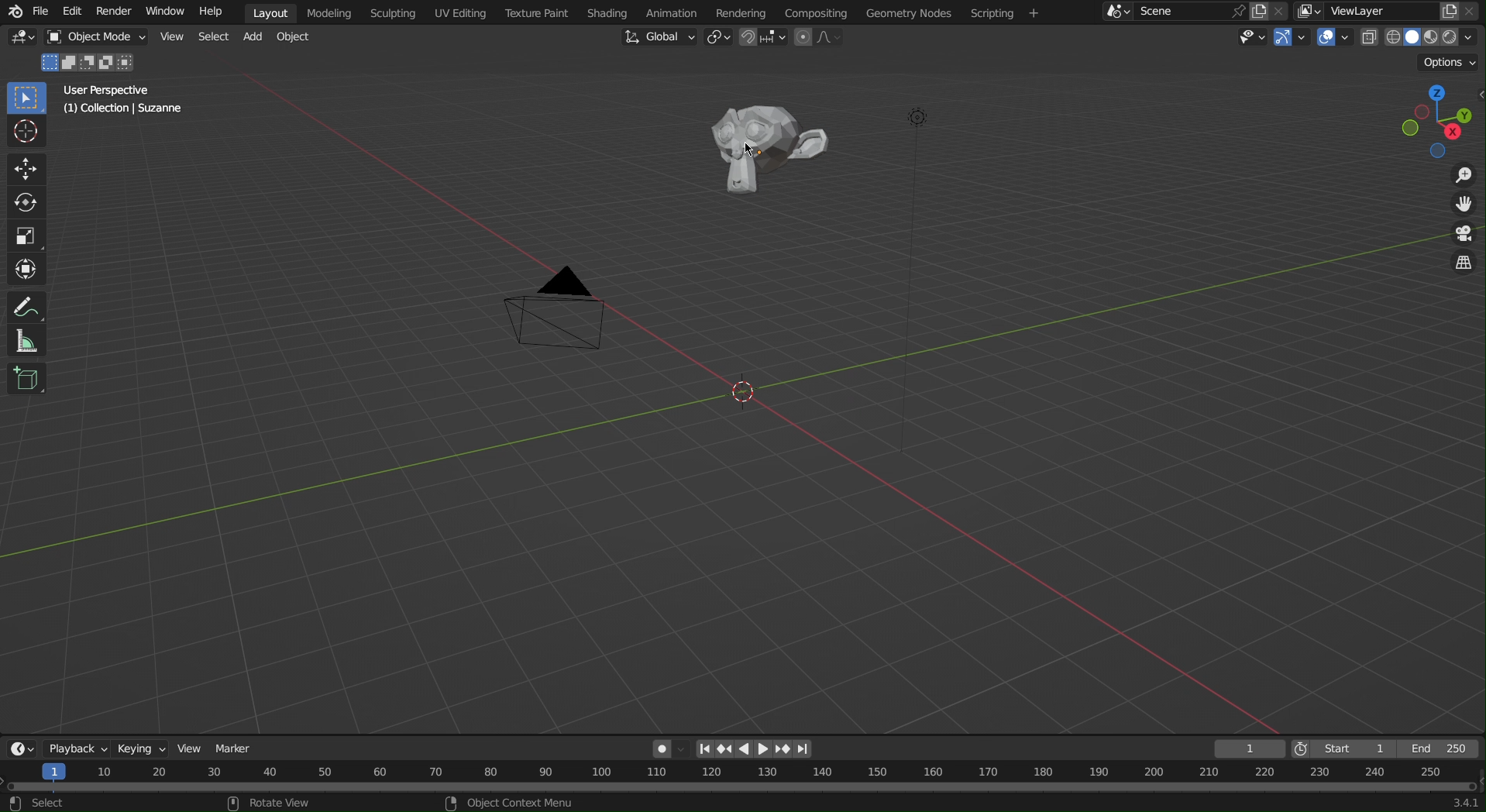  Describe the element at coordinates (16, 12) in the screenshot. I see `logo` at that location.